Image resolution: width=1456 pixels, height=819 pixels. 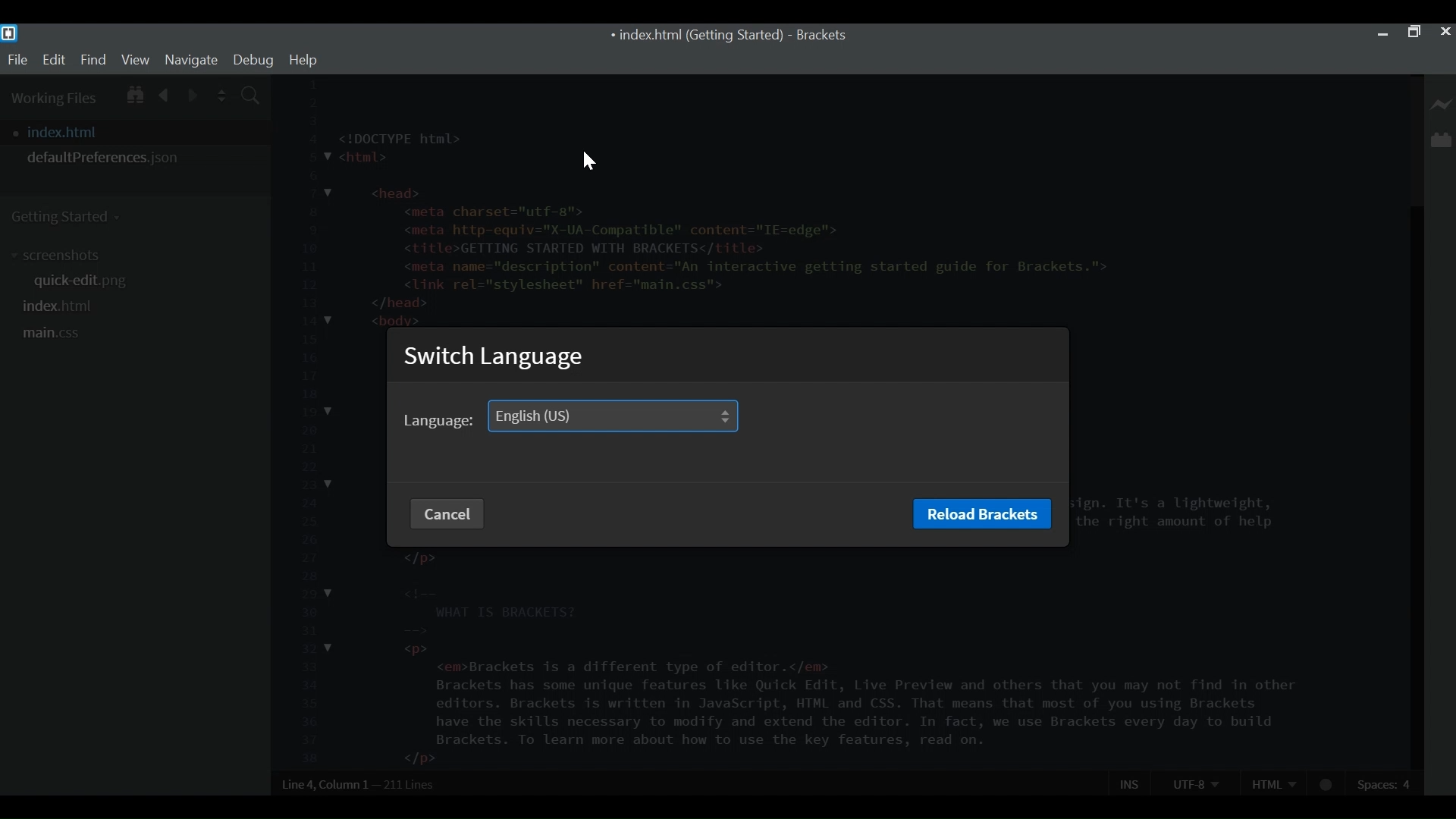 What do you see at coordinates (444, 514) in the screenshot?
I see `Cancel` at bounding box center [444, 514].